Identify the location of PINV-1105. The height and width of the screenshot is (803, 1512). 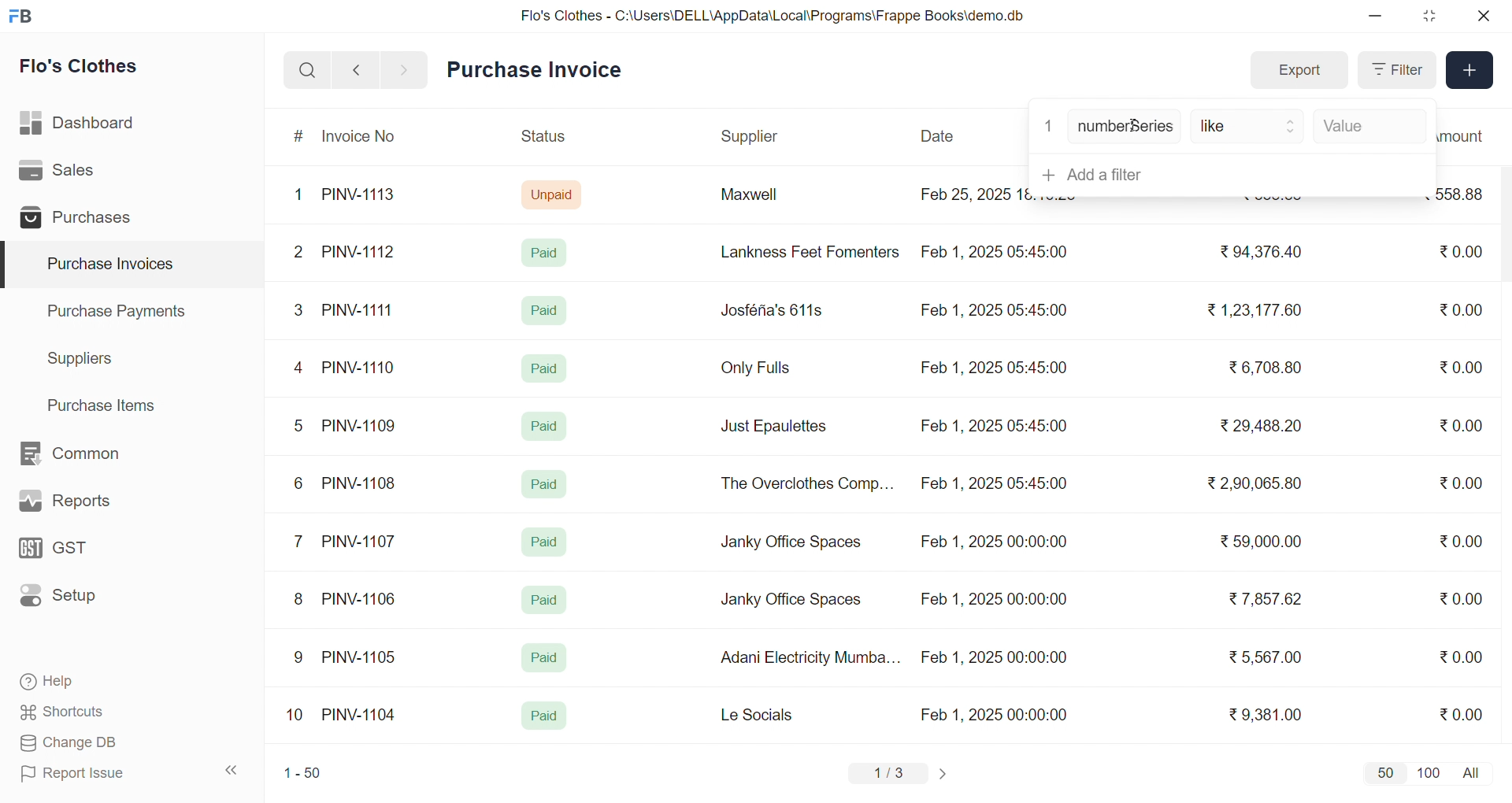
(362, 657).